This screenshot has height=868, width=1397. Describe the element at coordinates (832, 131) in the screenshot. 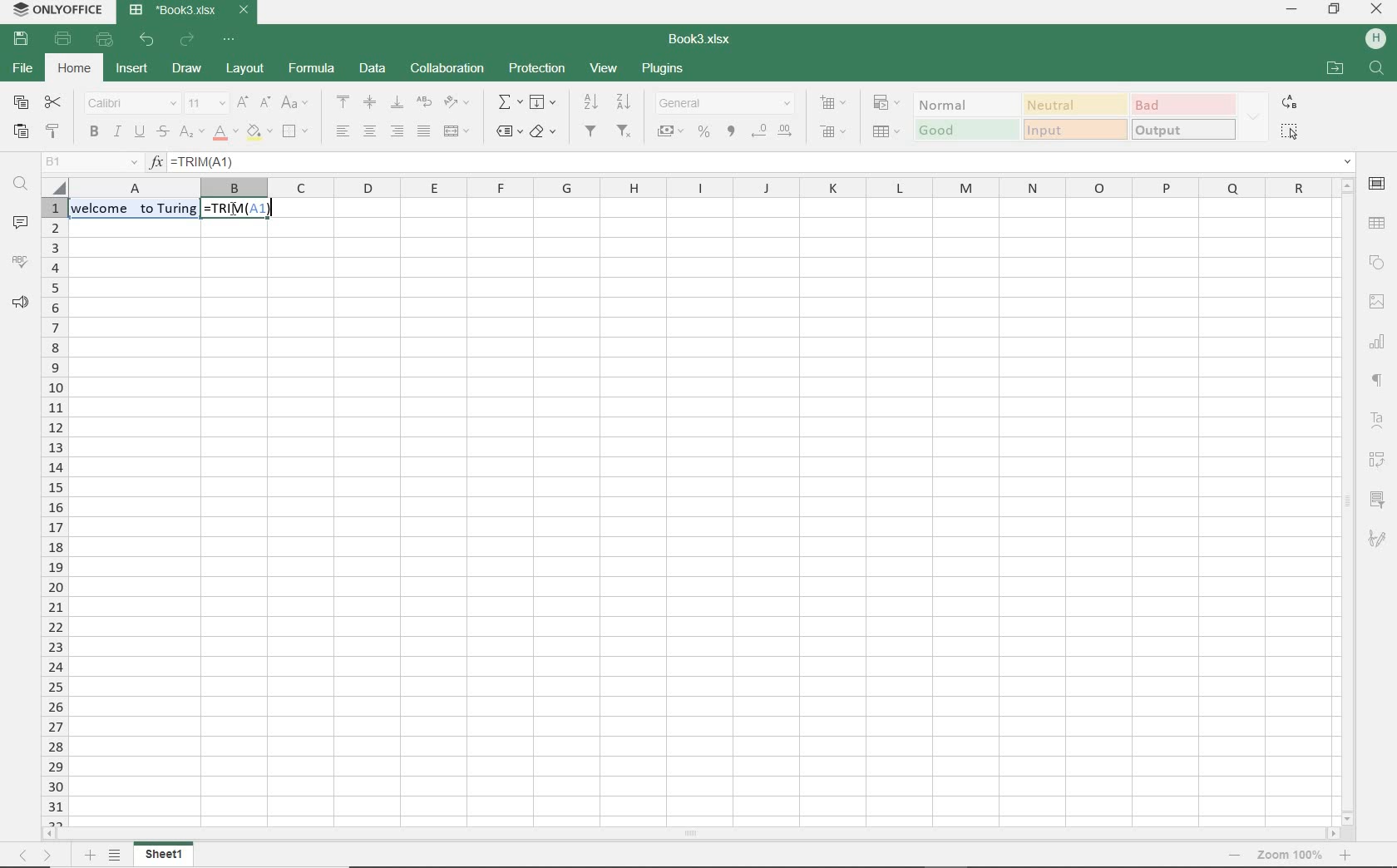

I see `delete cells` at that location.